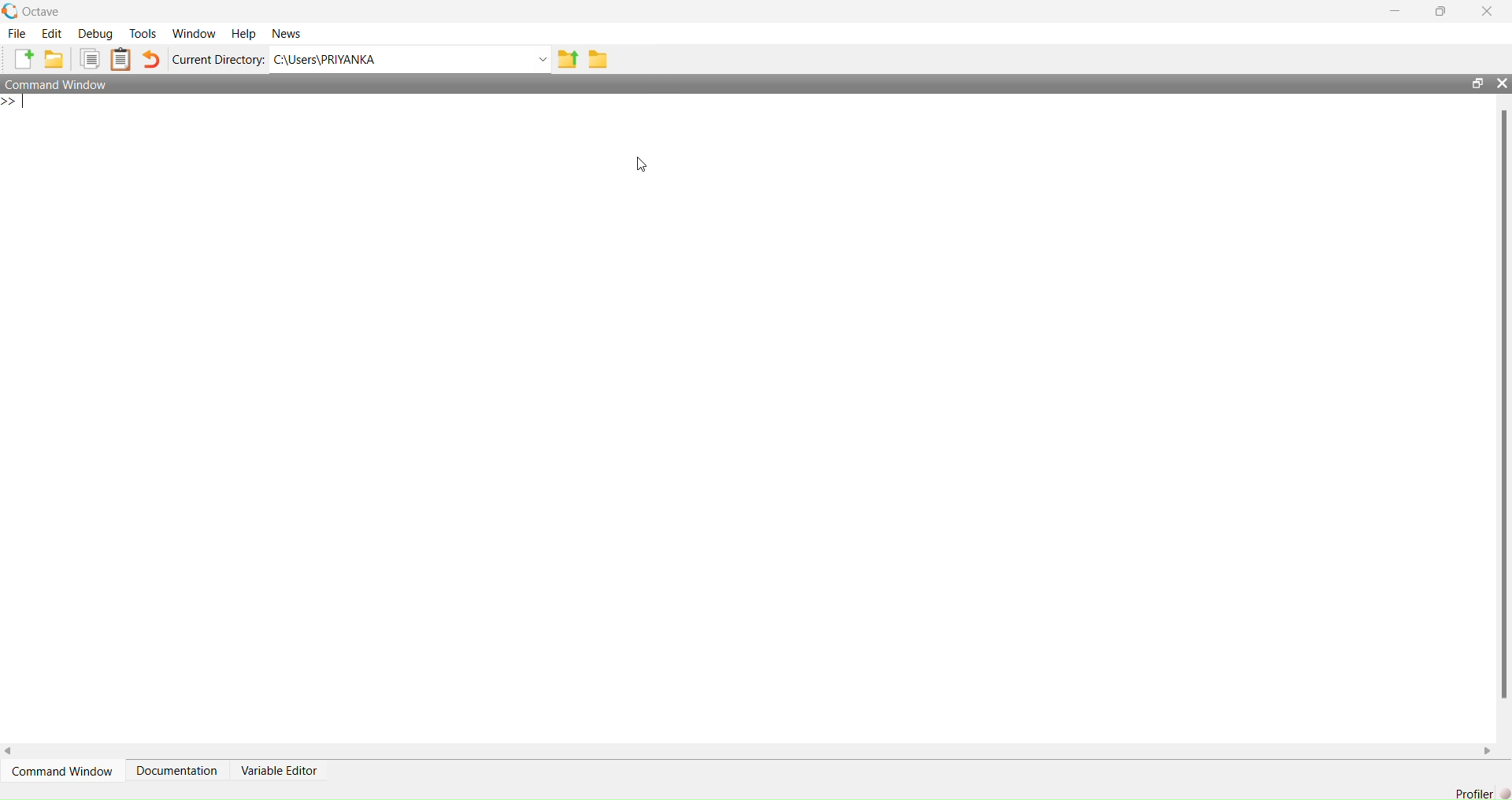 Image resolution: width=1512 pixels, height=800 pixels. What do you see at coordinates (543, 59) in the screenshot?
I see `Drop-down ` at bounding box center [543, 59].